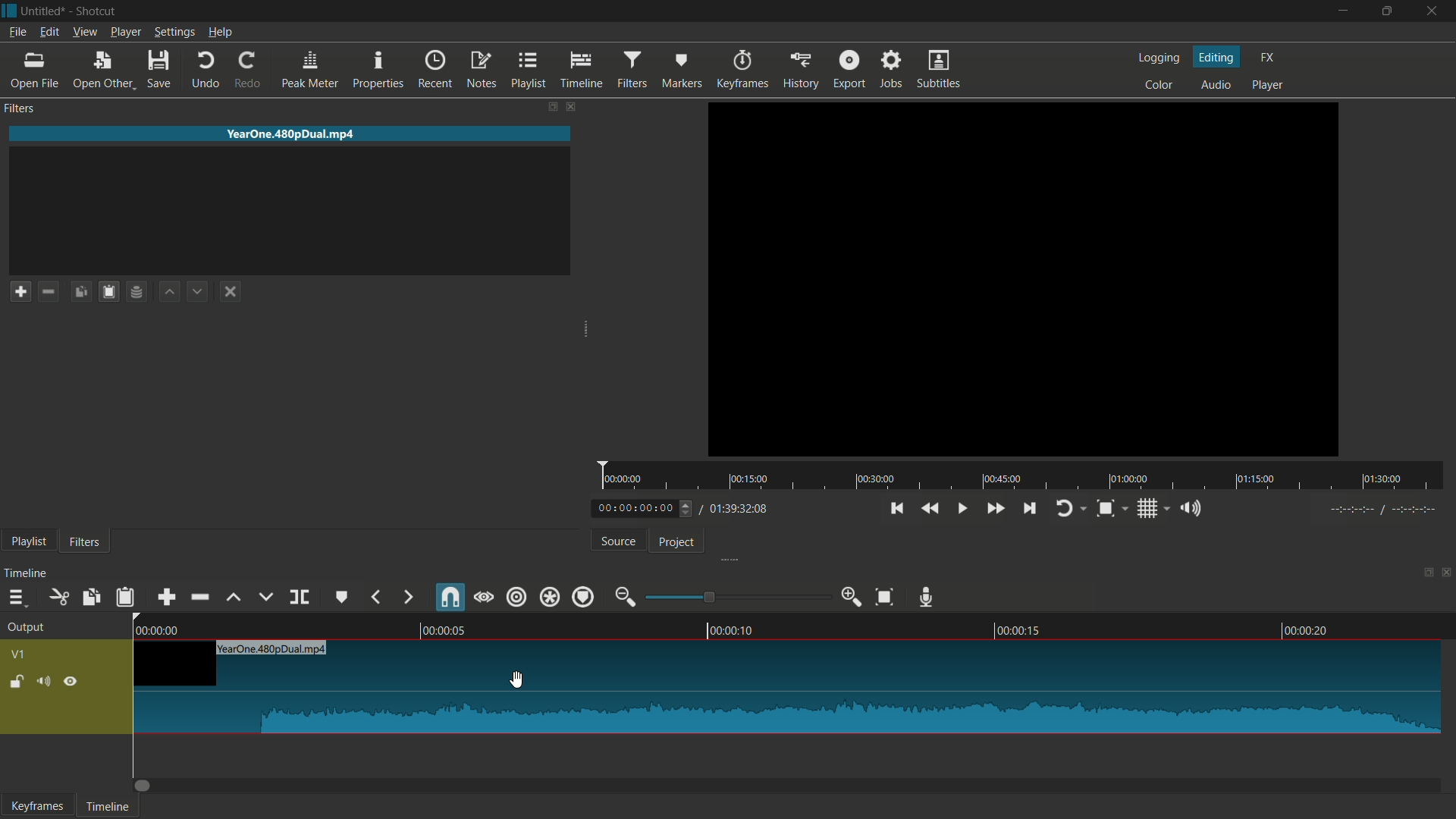  What do you see at coordinates (247, 71) in the screenshot?
I see `redo` at bounding box center [247, 71].